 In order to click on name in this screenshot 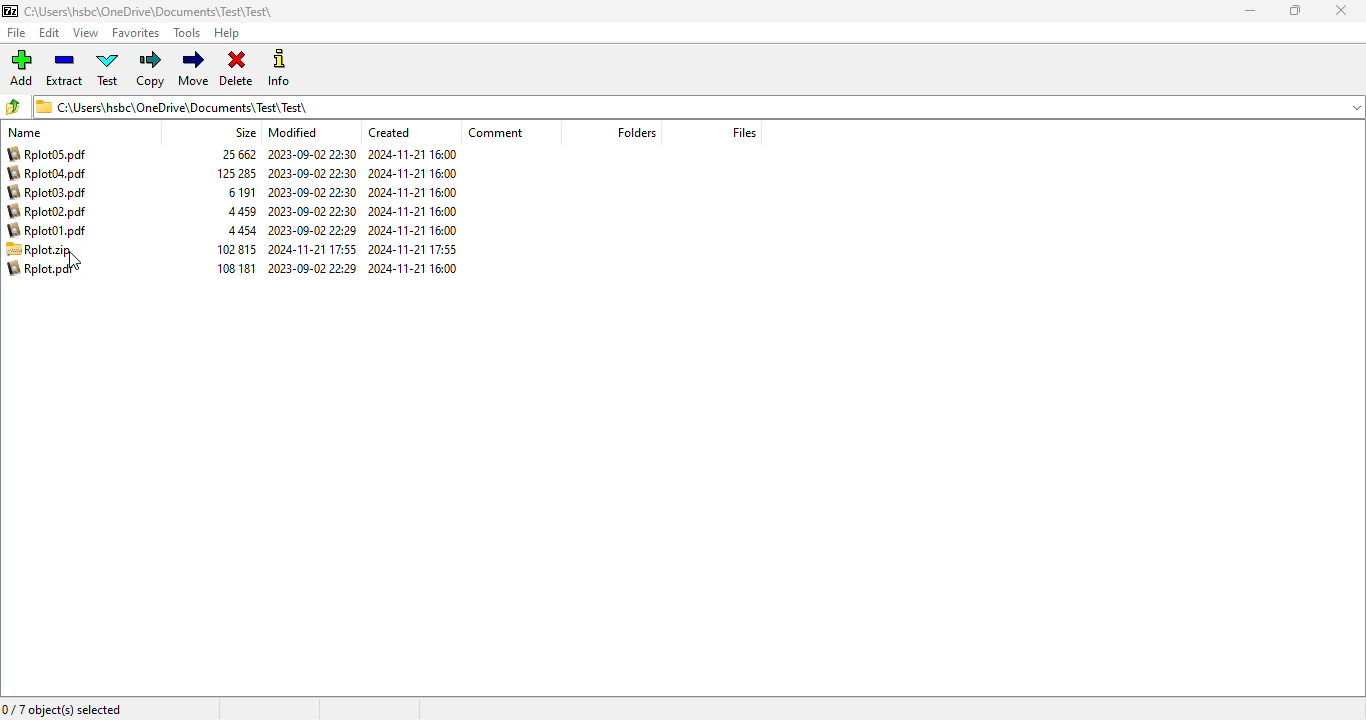, I will do `click(26, 132)`.